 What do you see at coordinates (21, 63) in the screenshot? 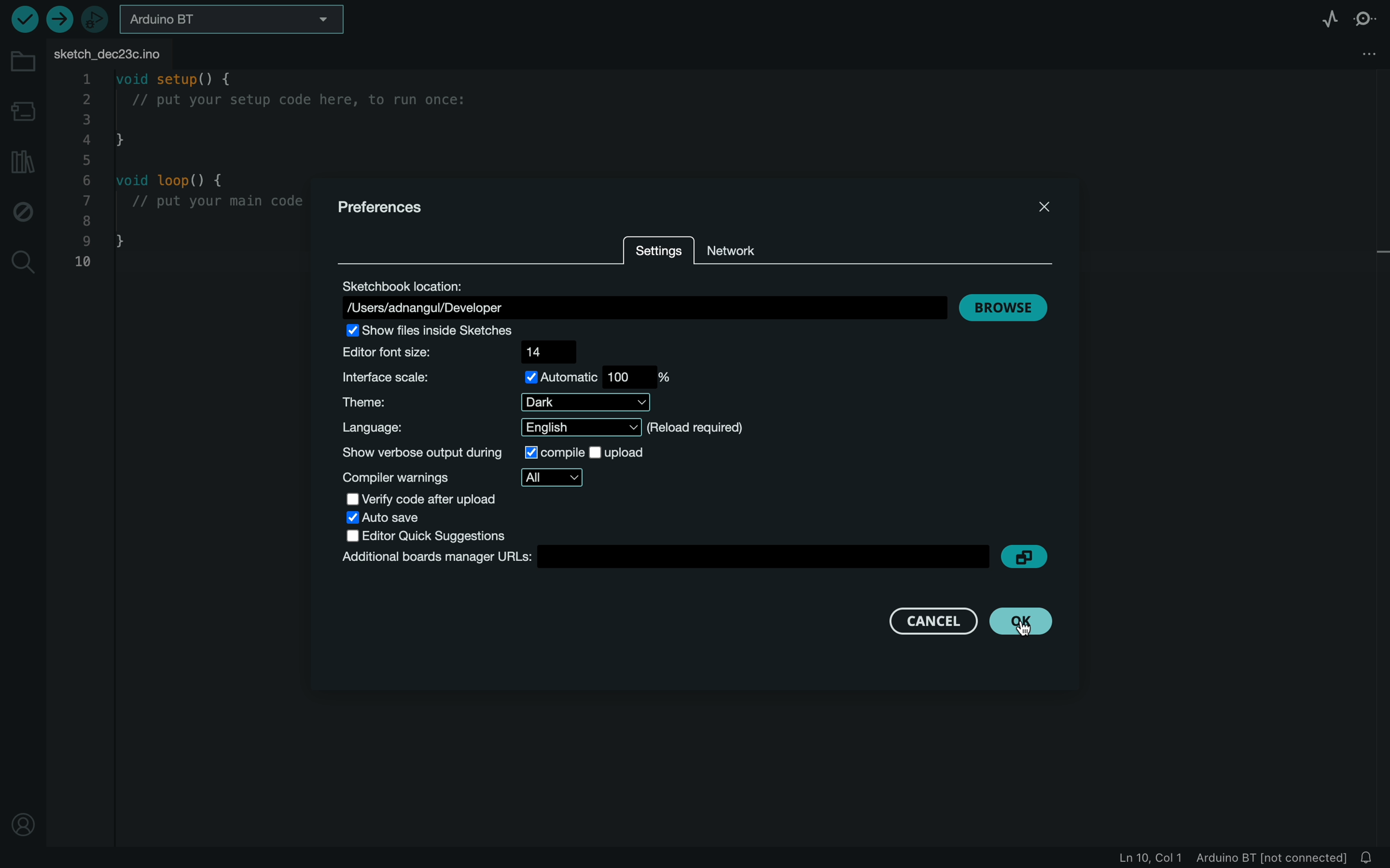
I see `folder` at bounding box center [21, 63].